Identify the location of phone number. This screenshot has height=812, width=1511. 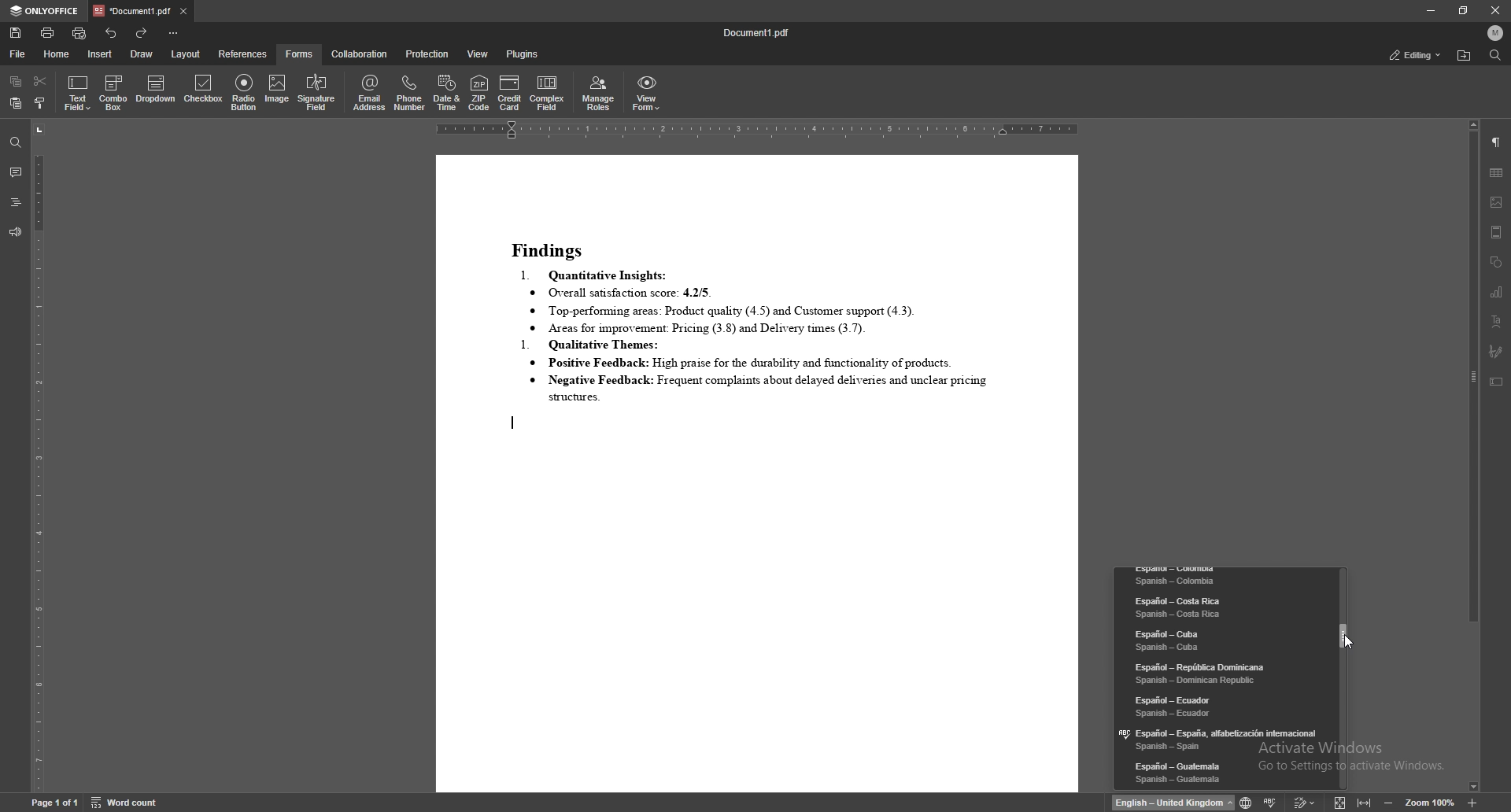
(412, 92).